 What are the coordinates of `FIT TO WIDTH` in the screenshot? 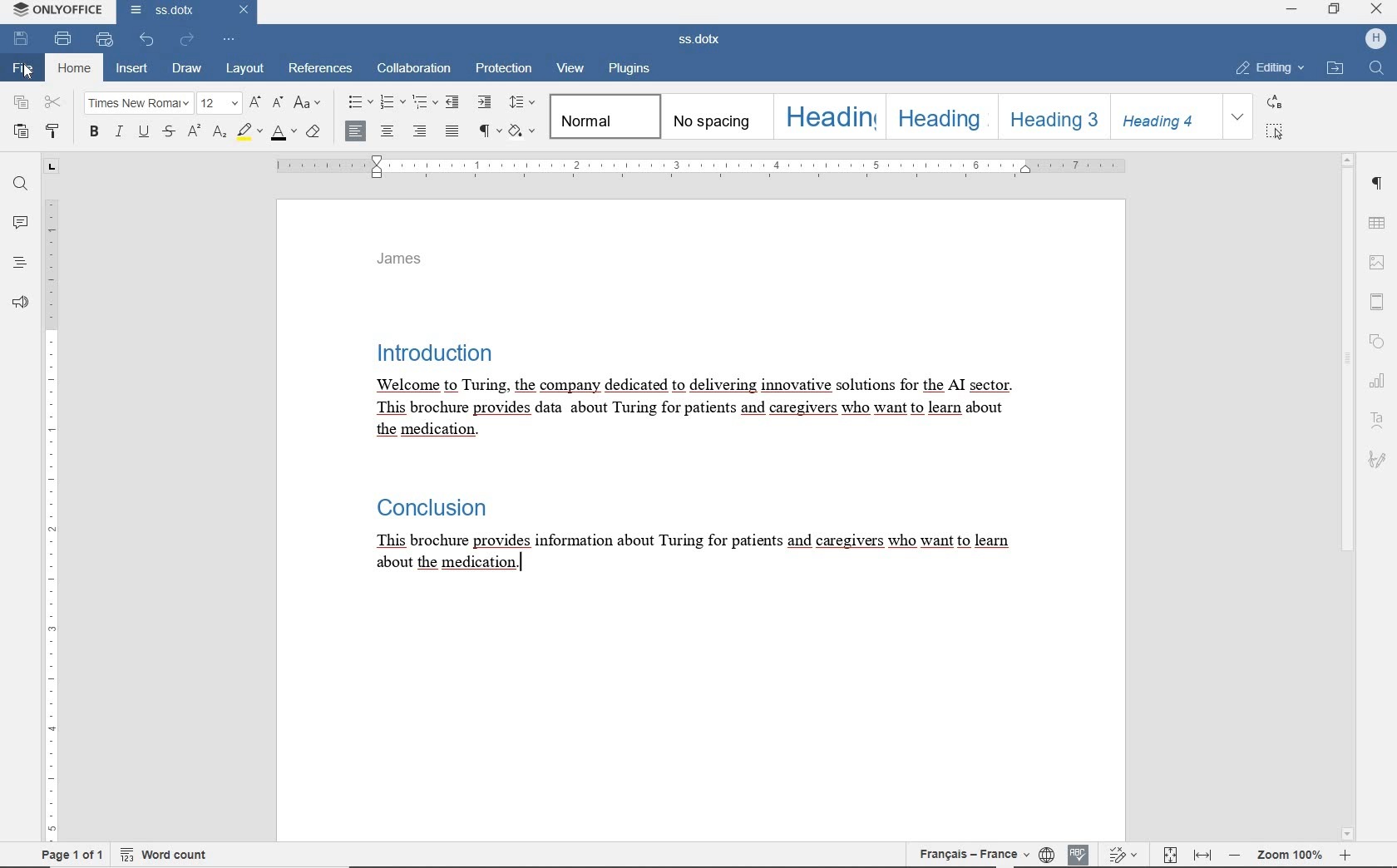 It's located at (1202, 855).